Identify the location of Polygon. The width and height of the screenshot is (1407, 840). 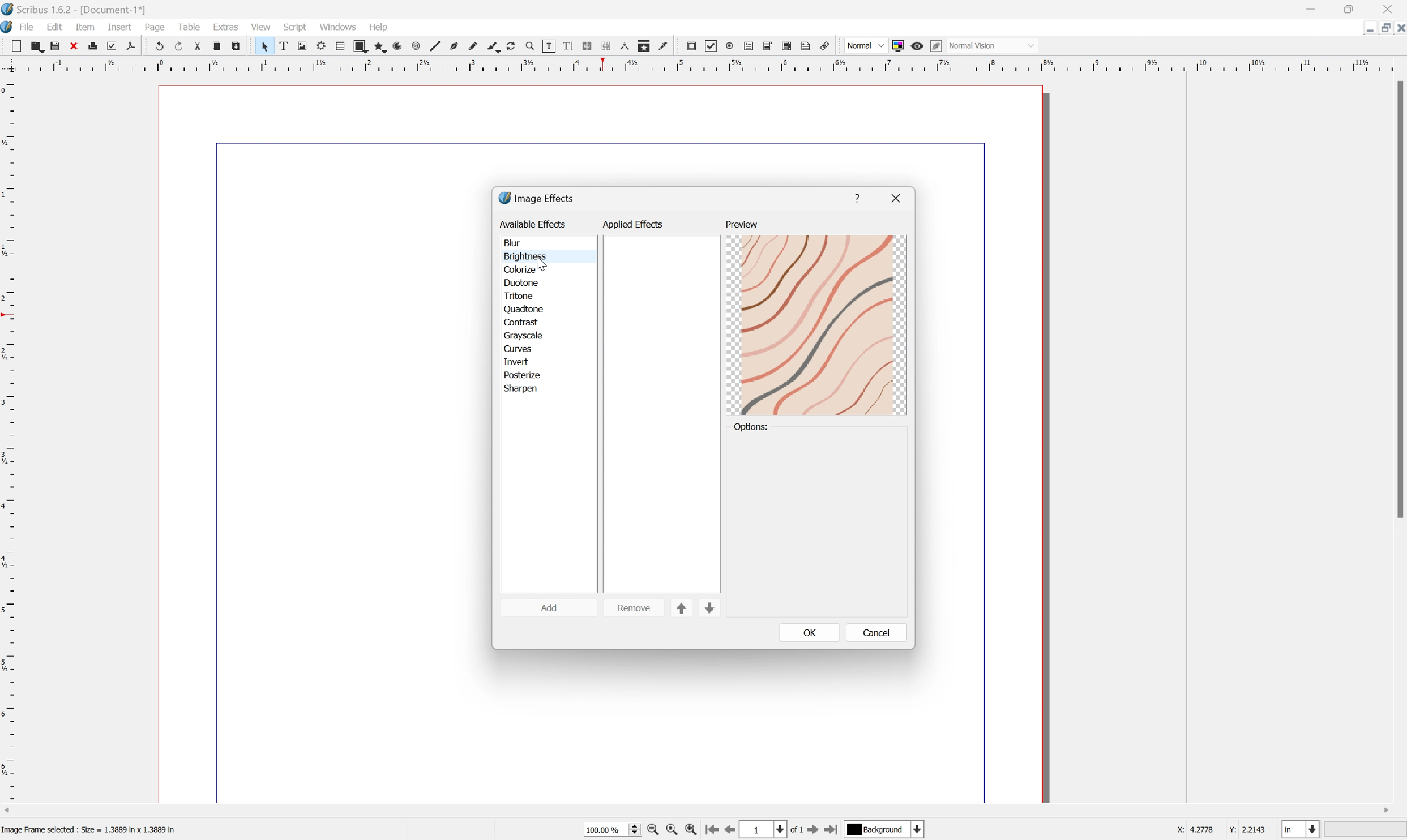
(381, 45).